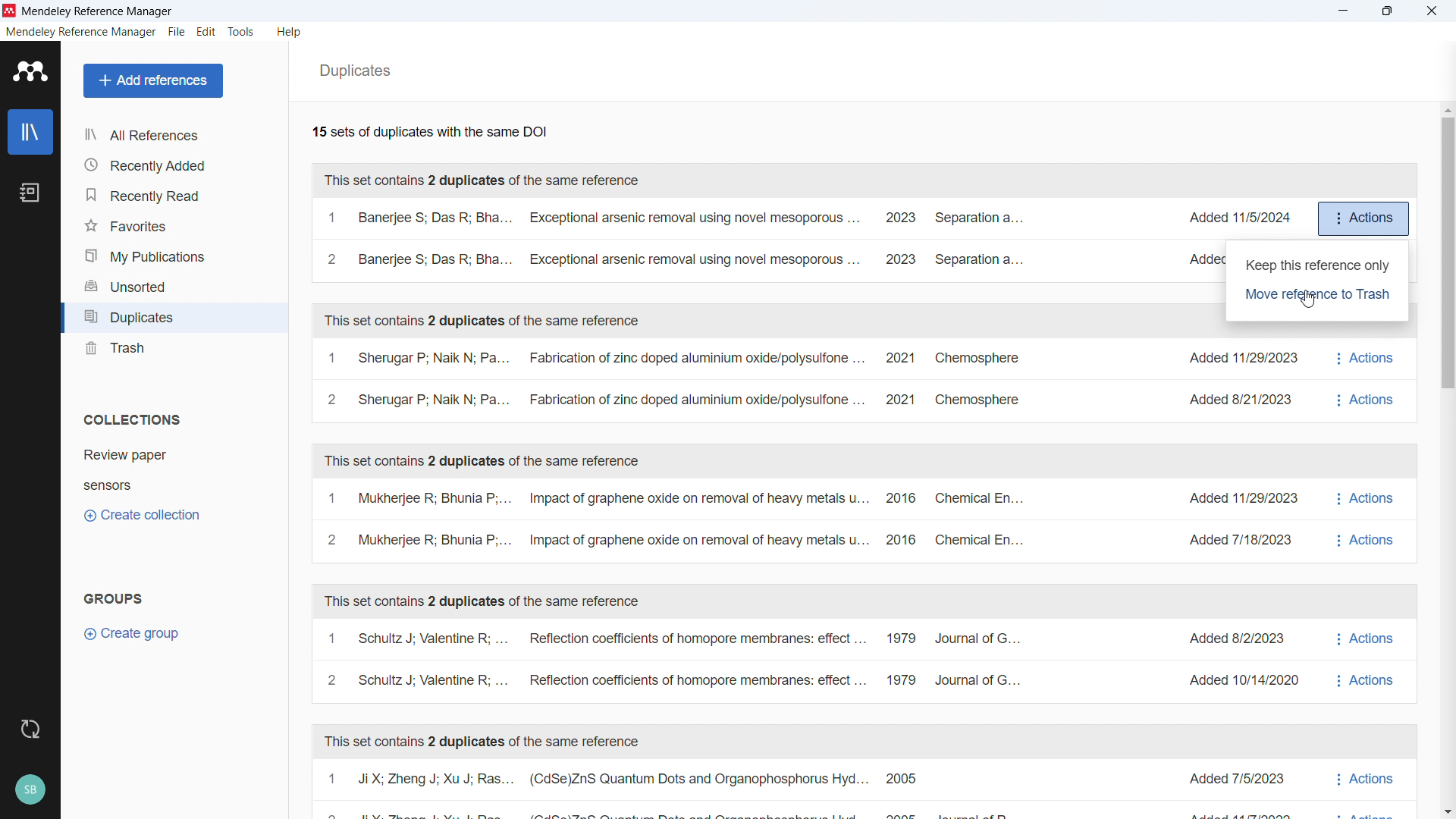 This screenshot has height=819, width=1456. Describe the element at coordinates (1236, 401) in the screenshot. I see `Added 8/21/2023` at that location.